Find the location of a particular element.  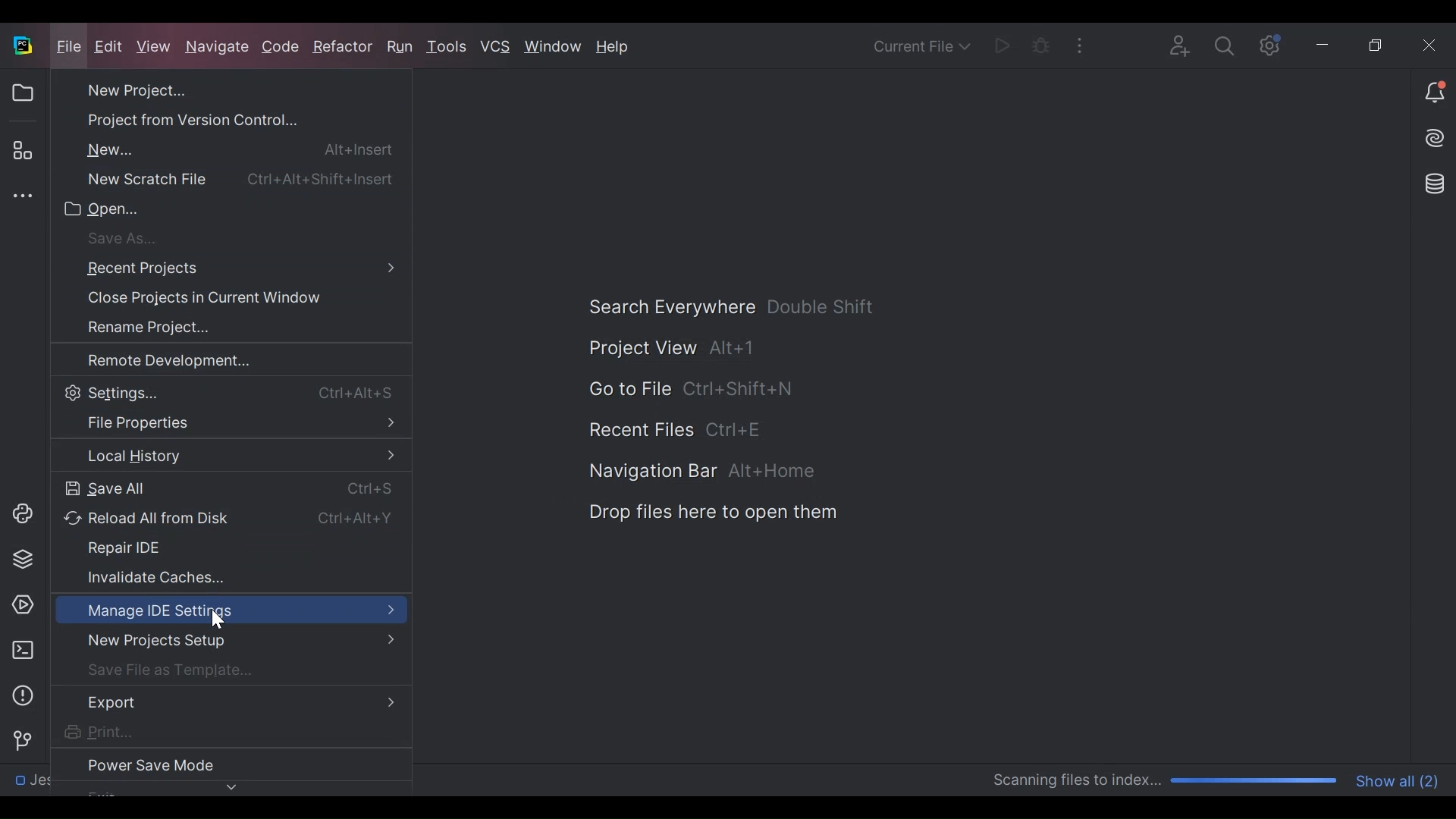

Open is located at coordinates (210, 209).